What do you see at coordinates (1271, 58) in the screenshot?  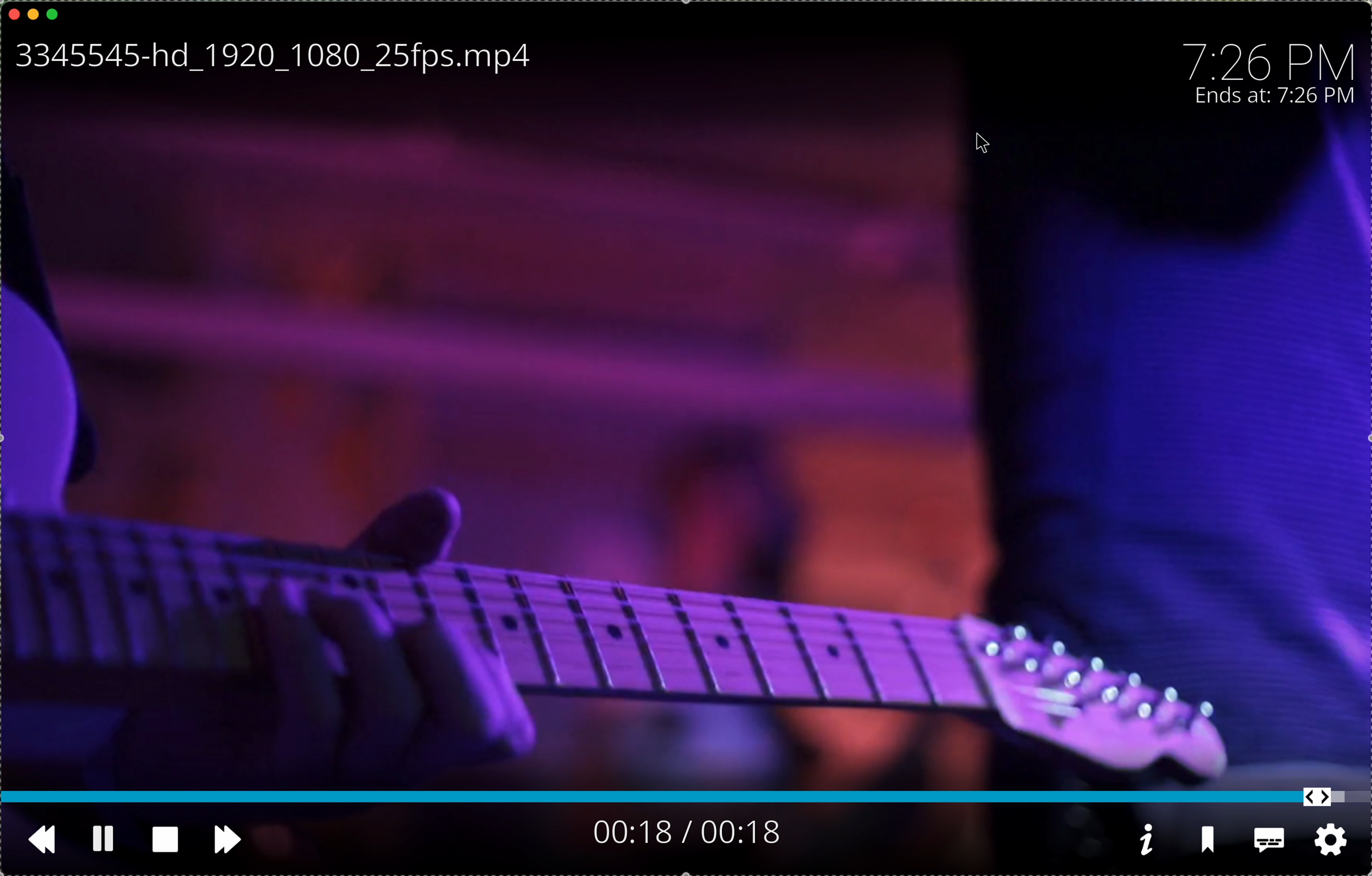 I see `time` at bounding box center [1271, 58].